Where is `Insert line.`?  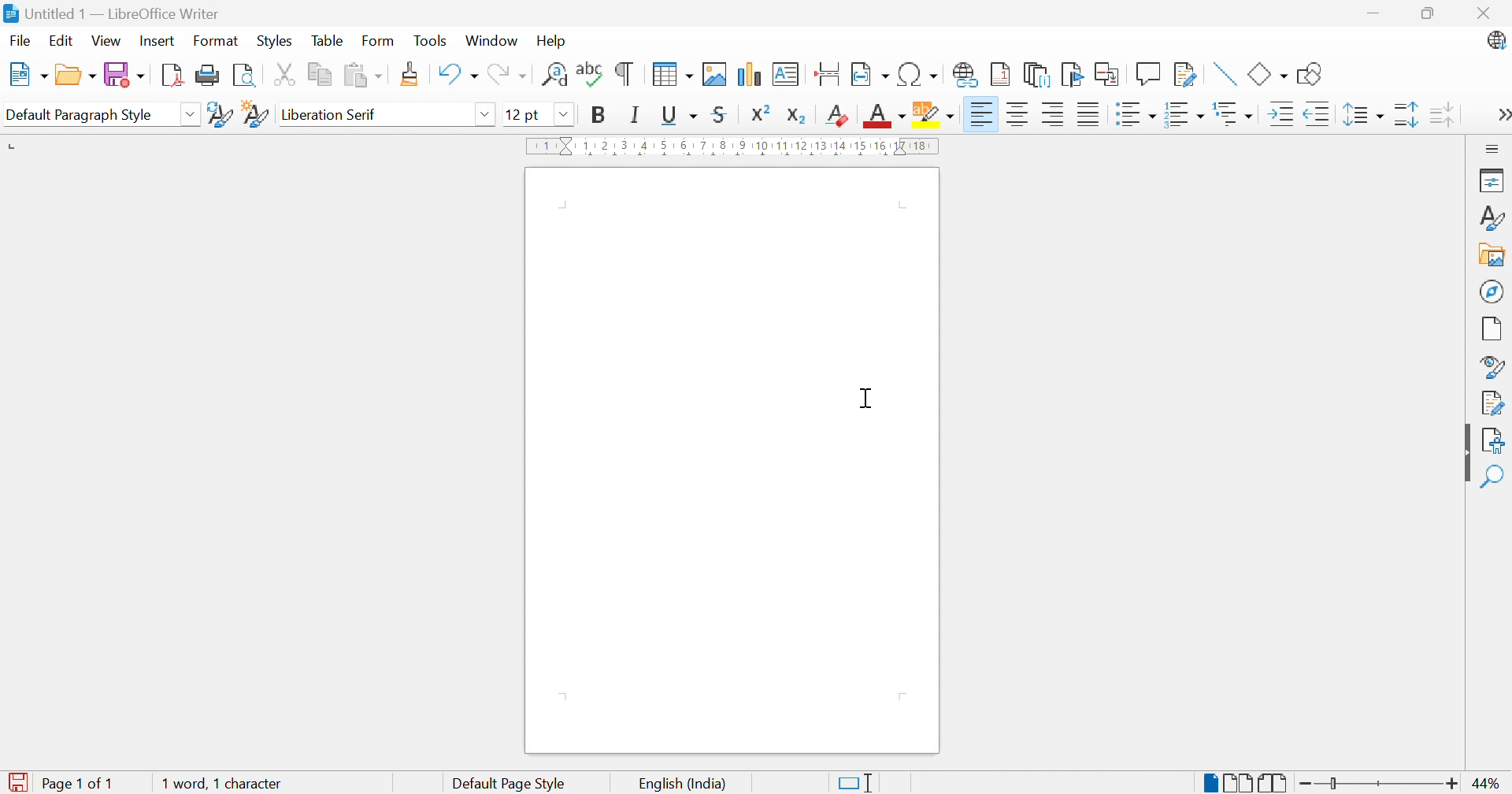
Insert line. is located at coordinates (1227, 75).